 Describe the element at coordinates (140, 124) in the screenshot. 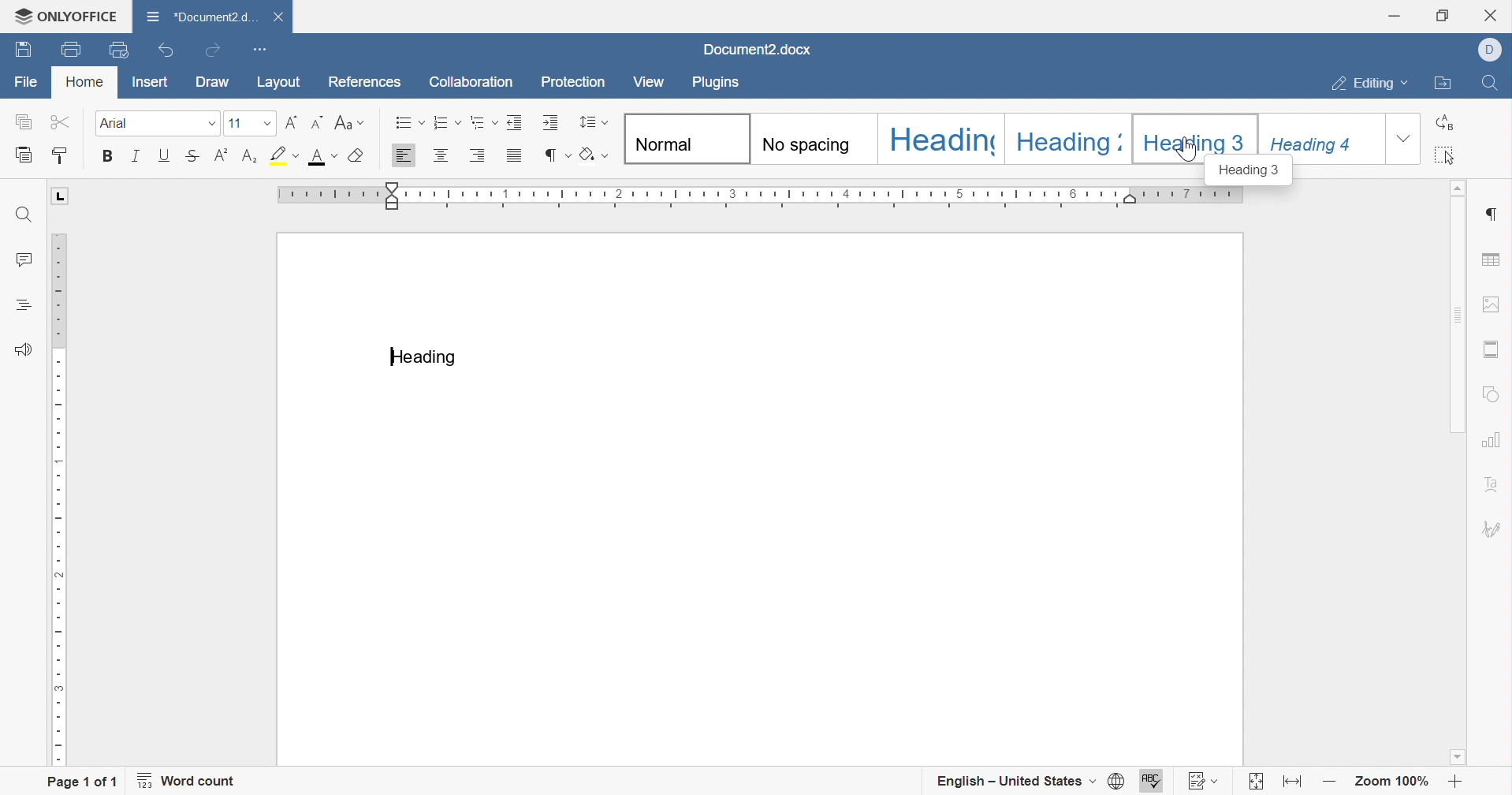

I see `Arial` at that location.